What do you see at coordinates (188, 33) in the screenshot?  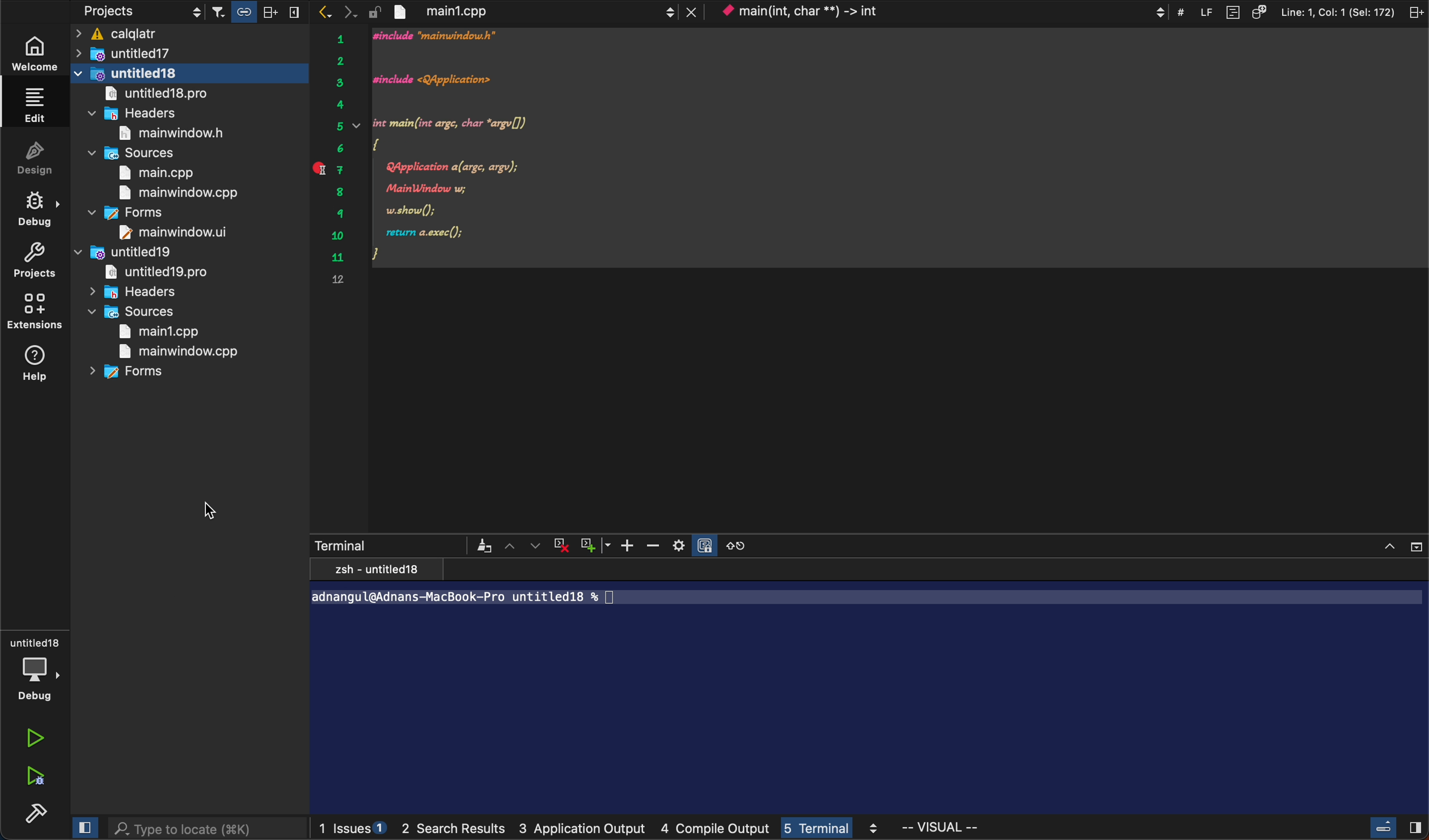 I see `ficalqlatr` at bounding box center [188, 33].